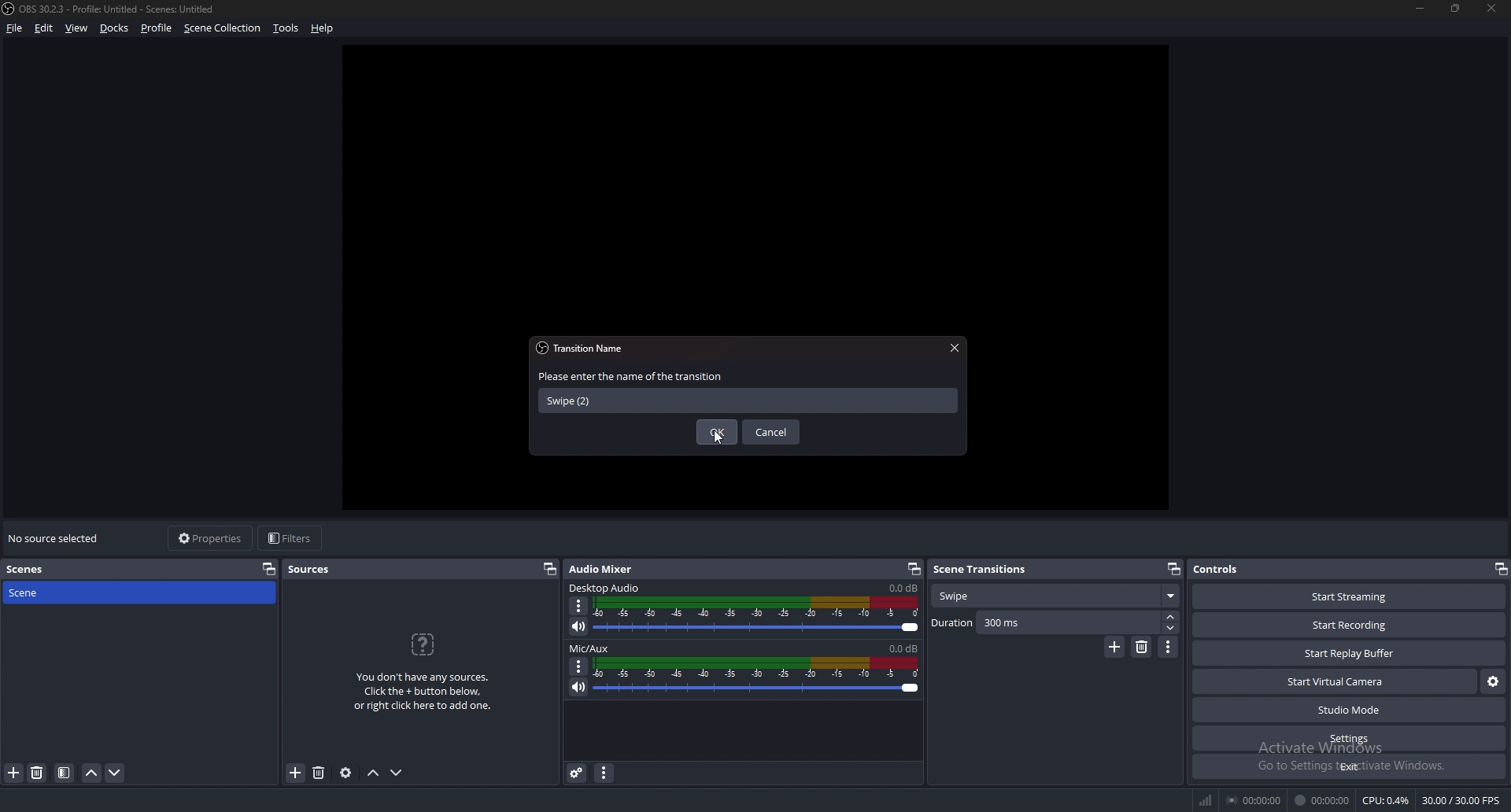 Image resolution: width=1511 pixels, height=812 pixels. What do you see at coordinates (290, 538) in the screenshot?
I see `filters` at bounding box center [290, 538].